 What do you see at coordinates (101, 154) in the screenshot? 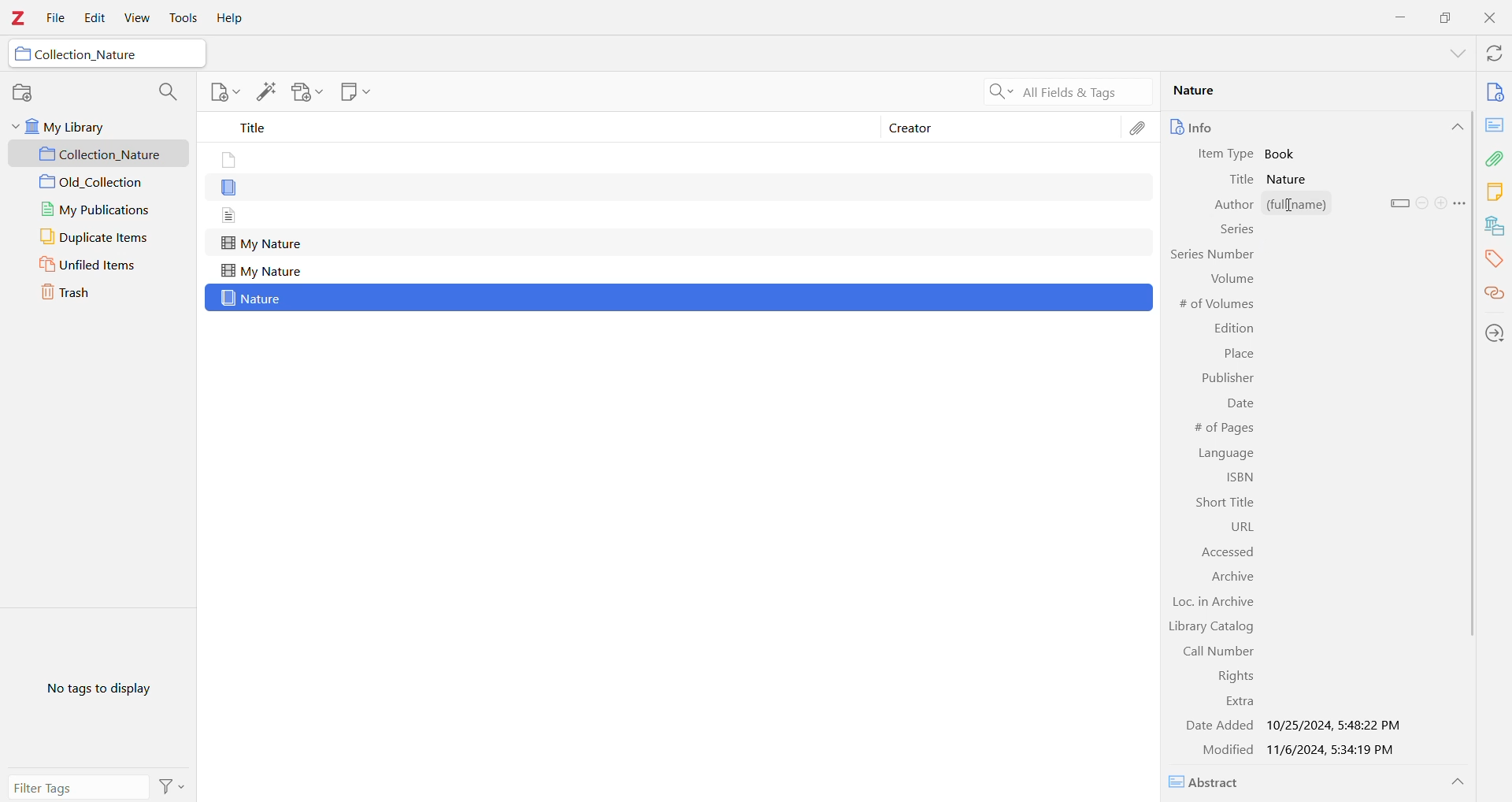
I see `Collection_Nature` at bounding box center [101, 154].